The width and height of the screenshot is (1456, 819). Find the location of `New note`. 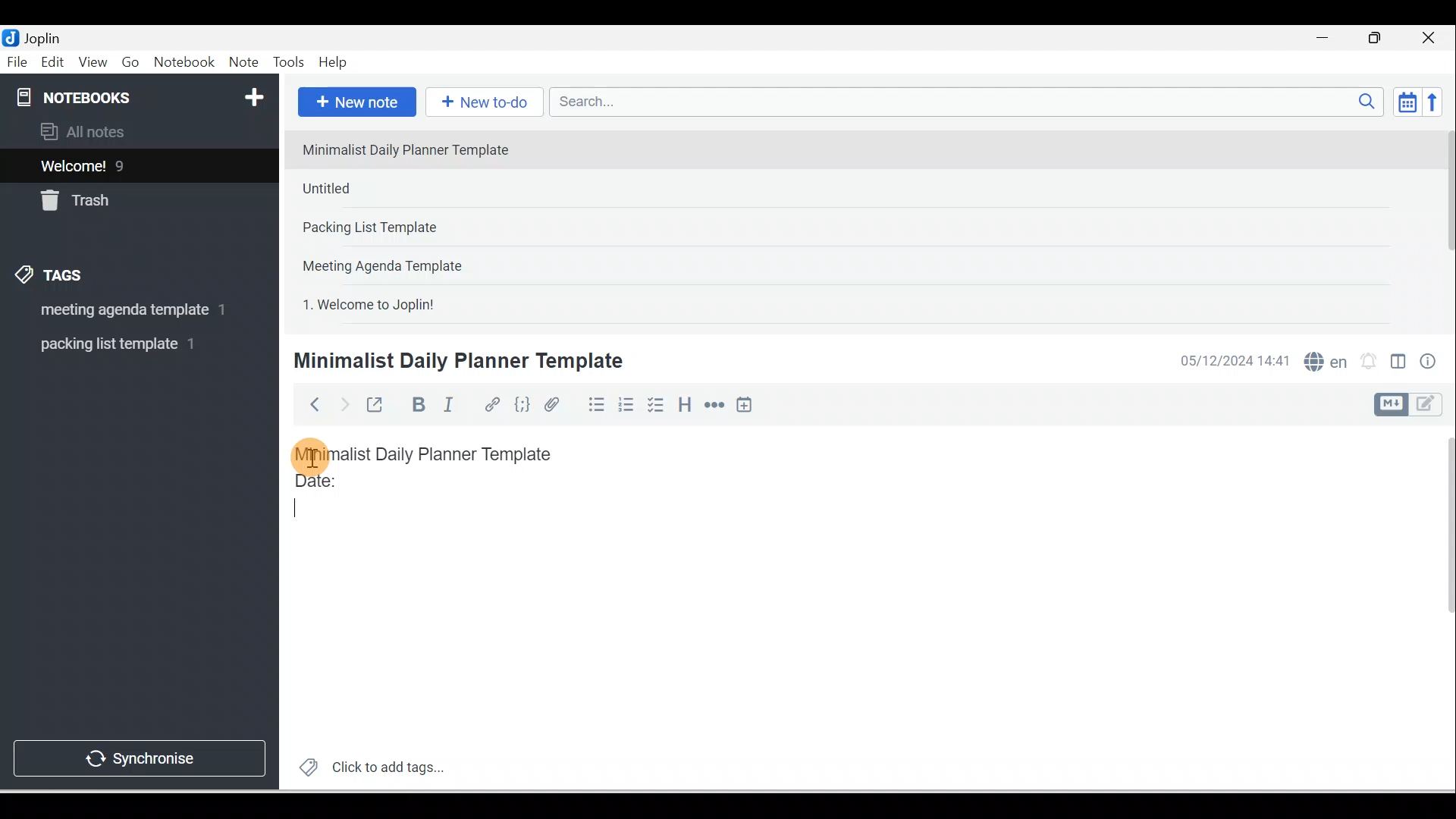

New note is located at coordinates (354, 103).